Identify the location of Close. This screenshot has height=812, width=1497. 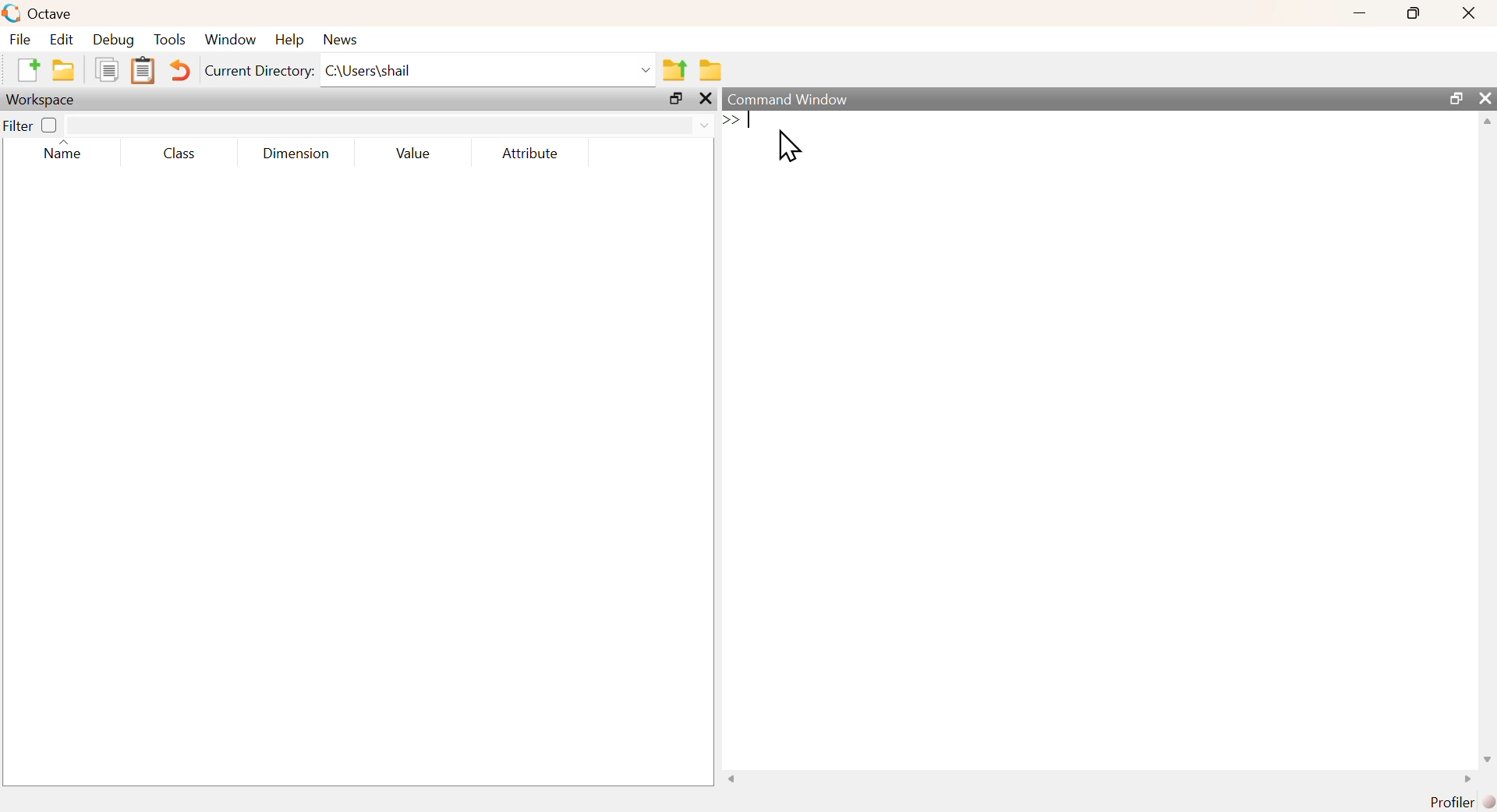
(1468, 13).